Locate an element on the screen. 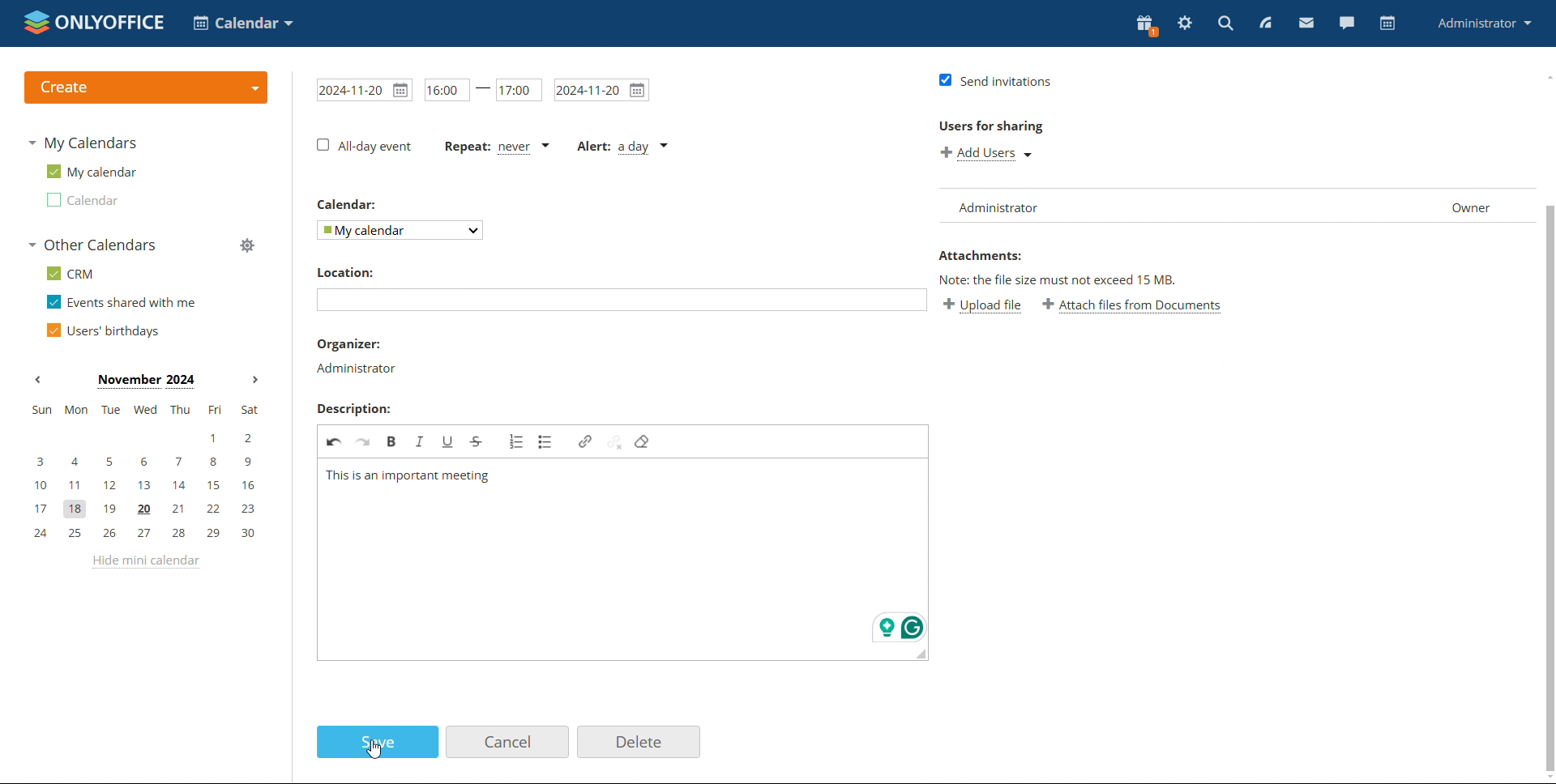  save is located at coordinates (378, 742).